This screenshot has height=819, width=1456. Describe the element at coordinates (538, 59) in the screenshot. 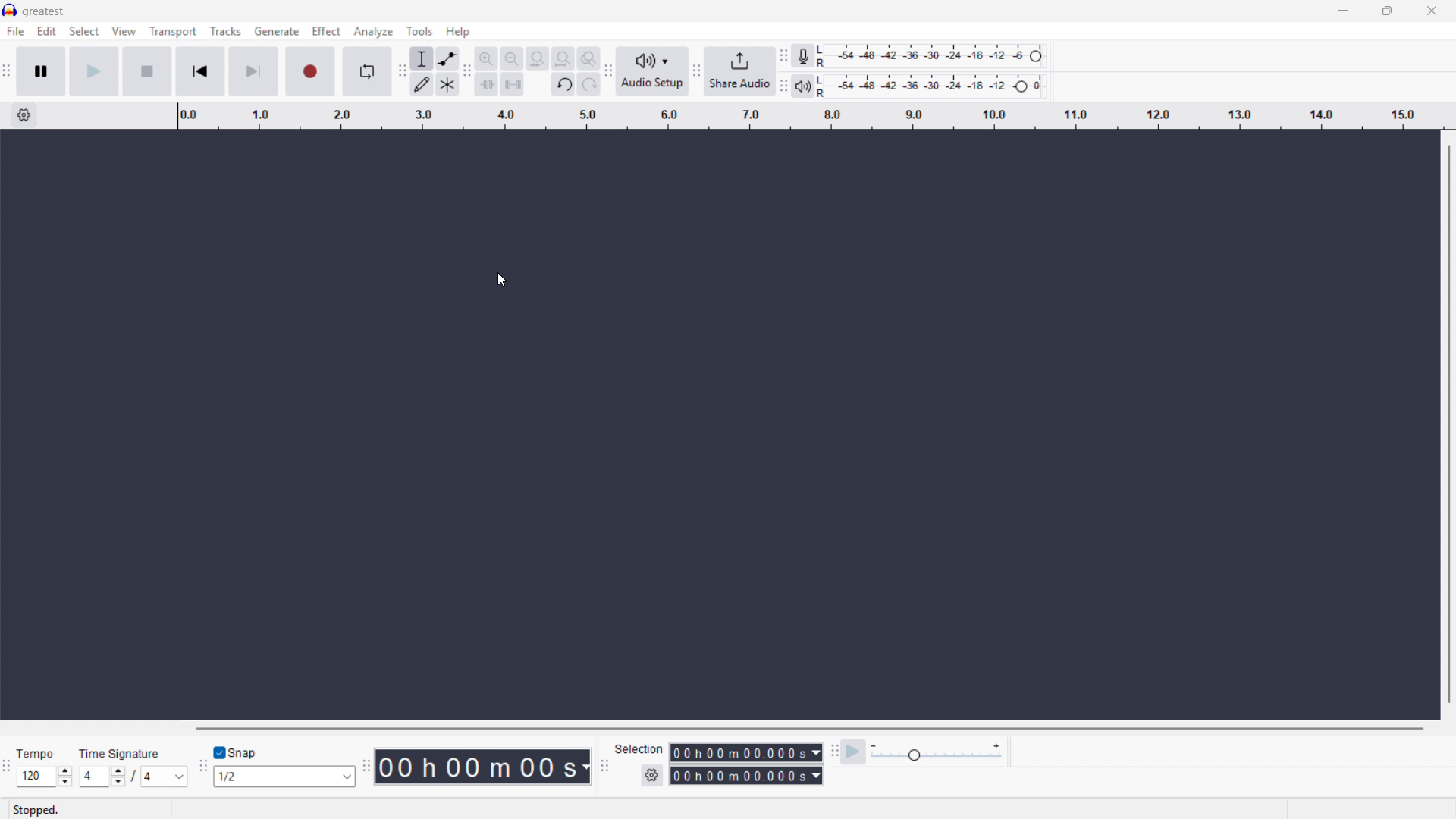

I see `Fit selection to width ` at that location.